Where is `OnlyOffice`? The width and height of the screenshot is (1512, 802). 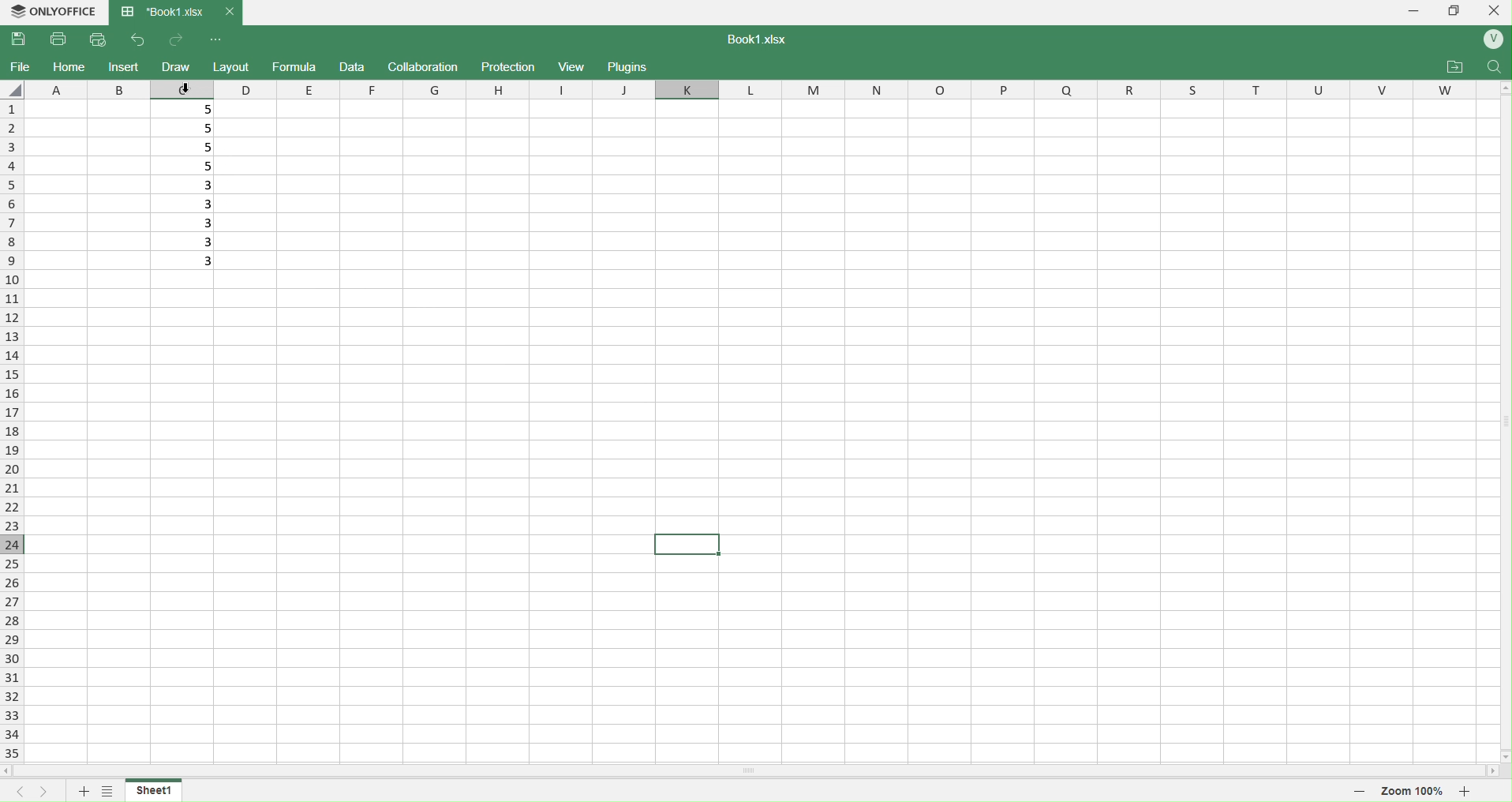
OnlyOffice is located at coordinates (52, 12).